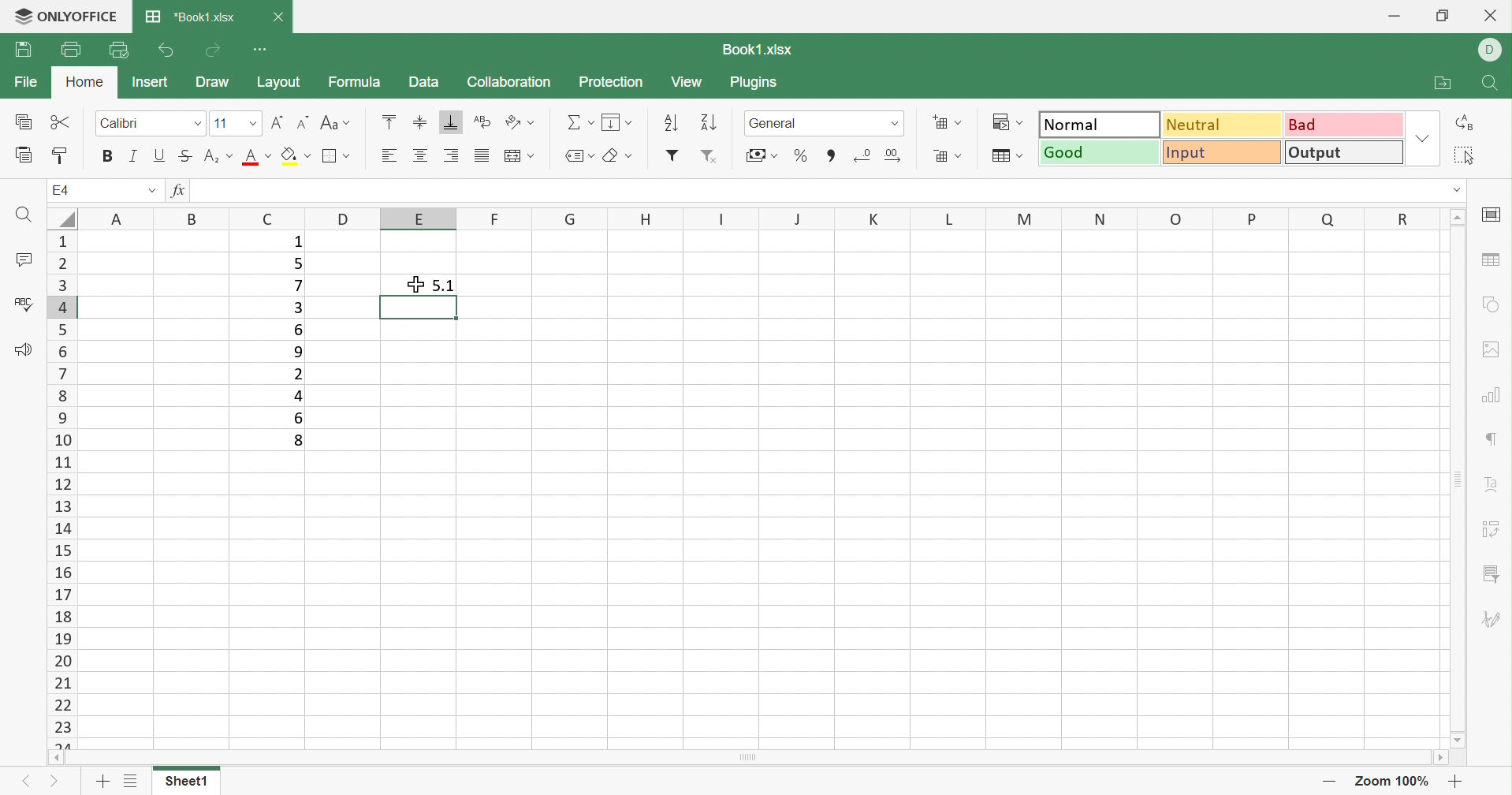  I want to click on DELL, so click(1491, 49).